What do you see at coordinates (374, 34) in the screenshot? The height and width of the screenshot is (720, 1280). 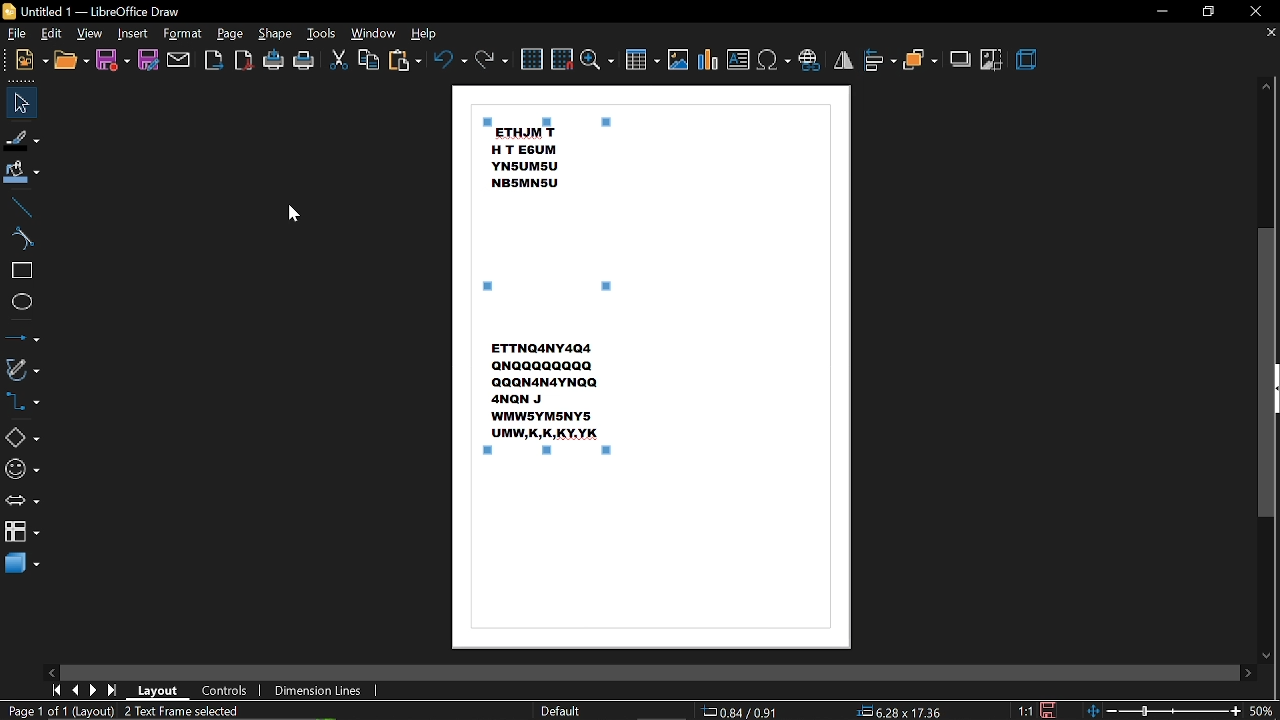 I see `window` at bounding box center [374, 34].